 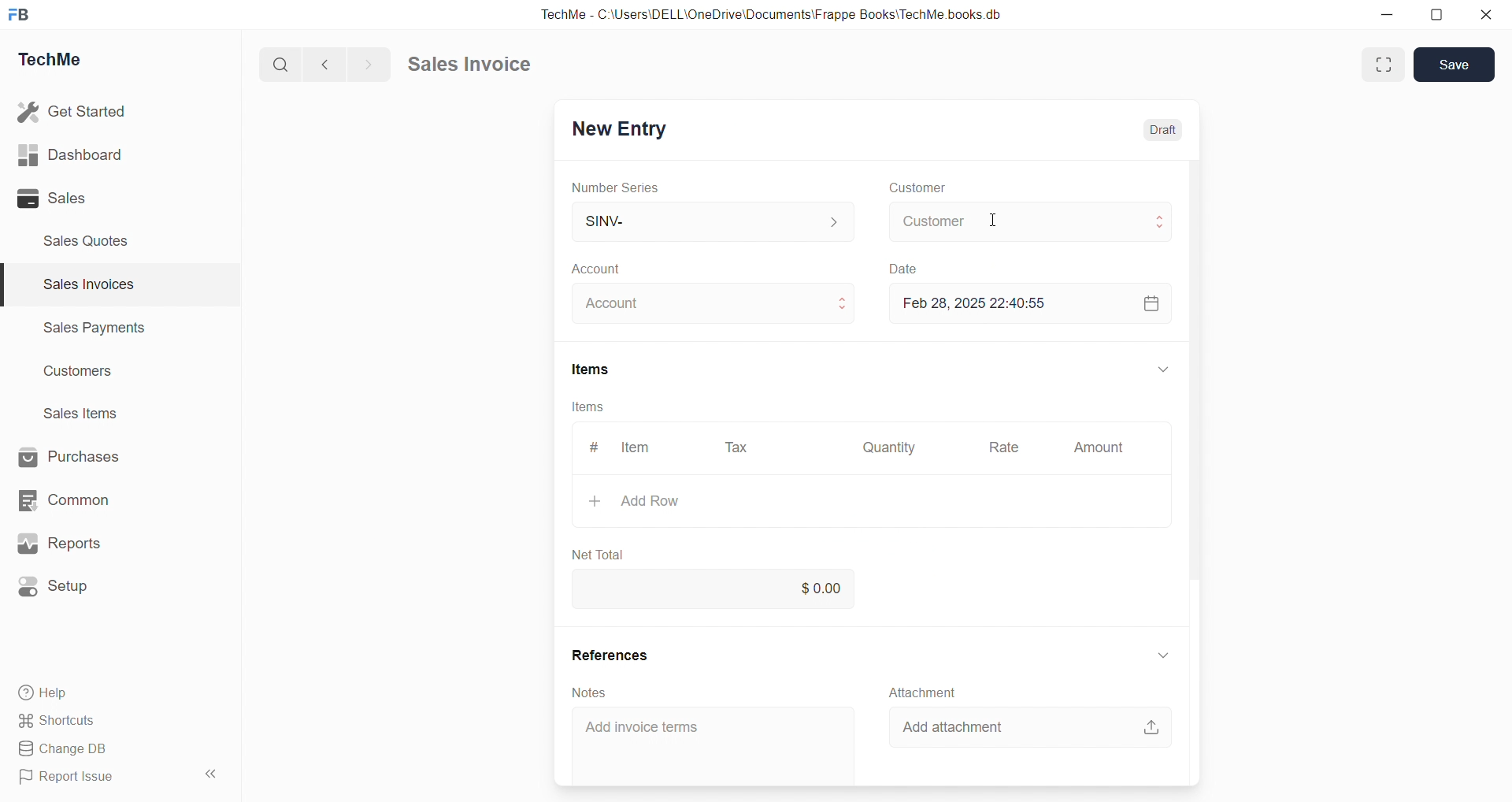 What do you see at coordinates (1162, 131) in the screenshot?
I see `Draft` at bounding box center [1162, 131].